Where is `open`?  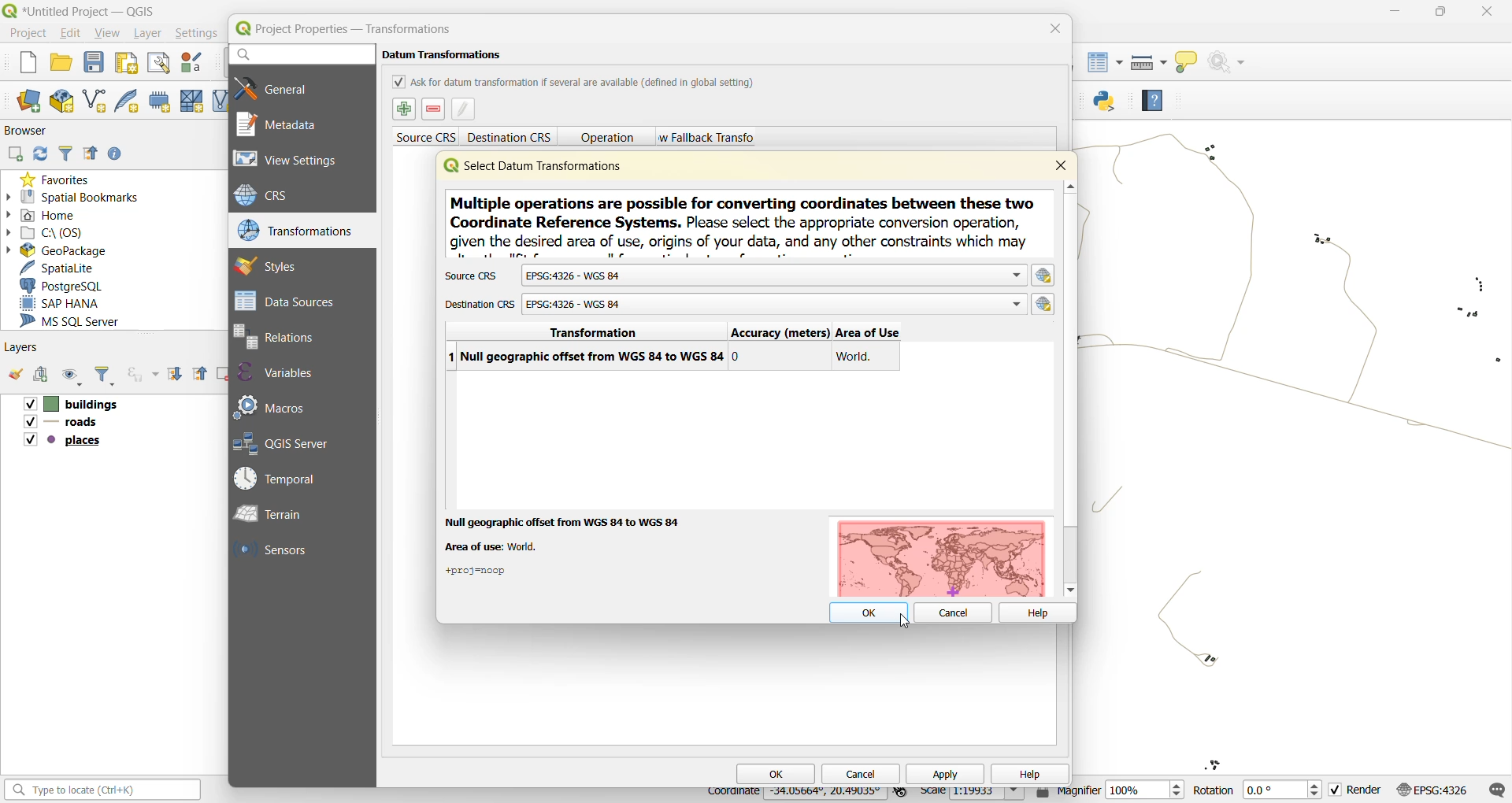
open is located at coordinates (15, 373).